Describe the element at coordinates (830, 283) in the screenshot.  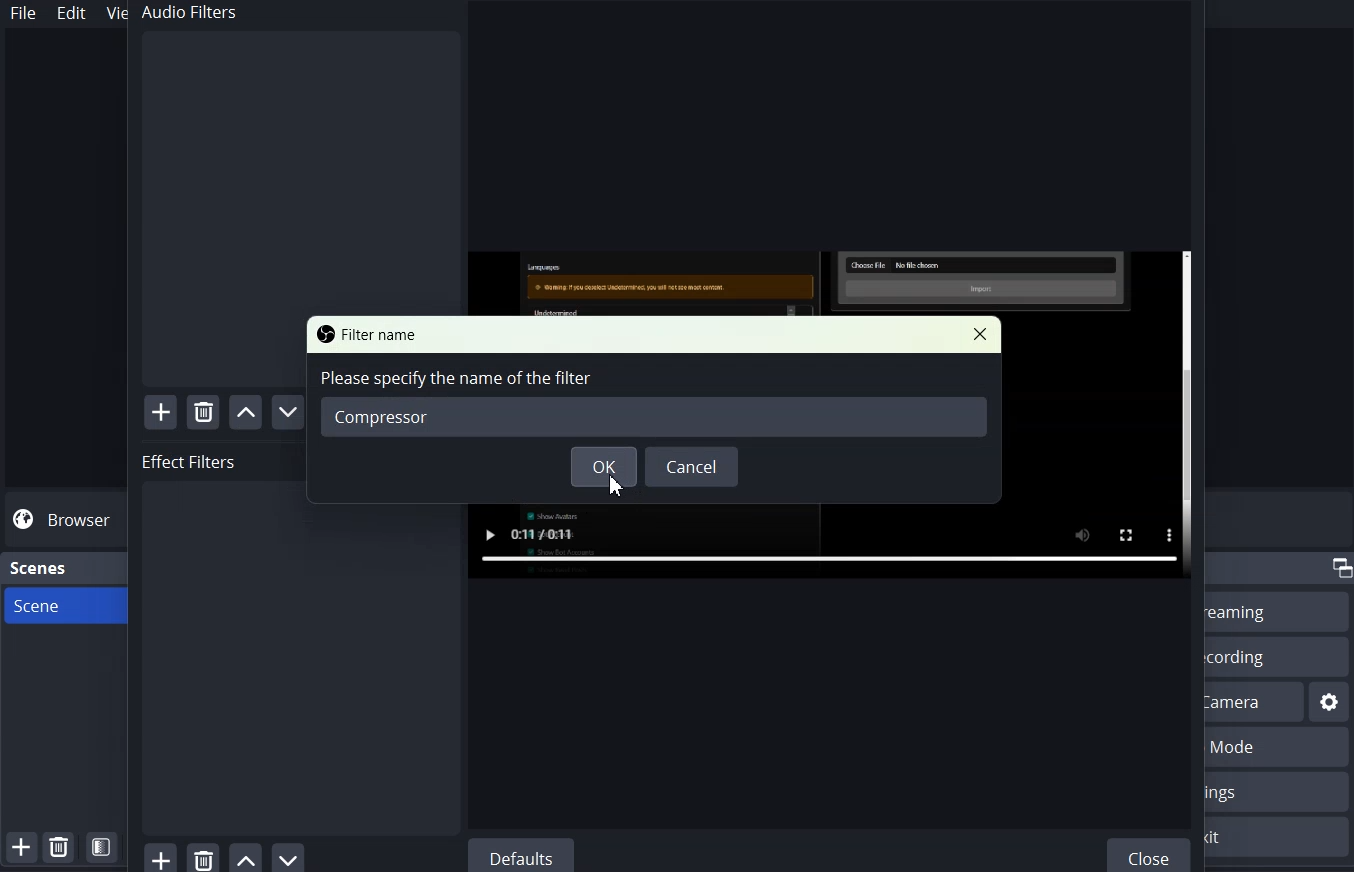
I see `file preview` at that location.